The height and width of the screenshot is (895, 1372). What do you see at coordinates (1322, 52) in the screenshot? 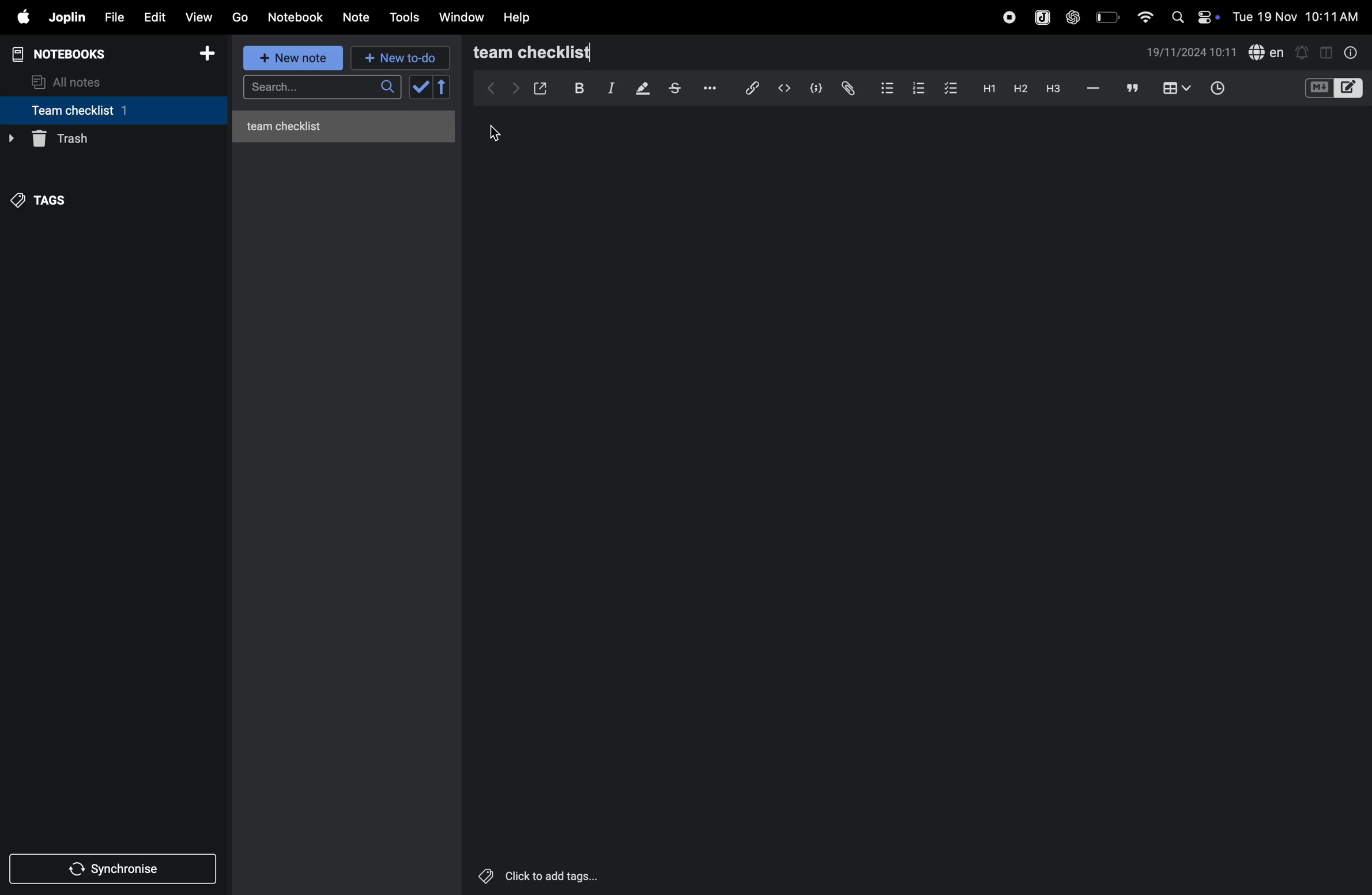
I see `toggle editor` at bounding box center [1322, 52].